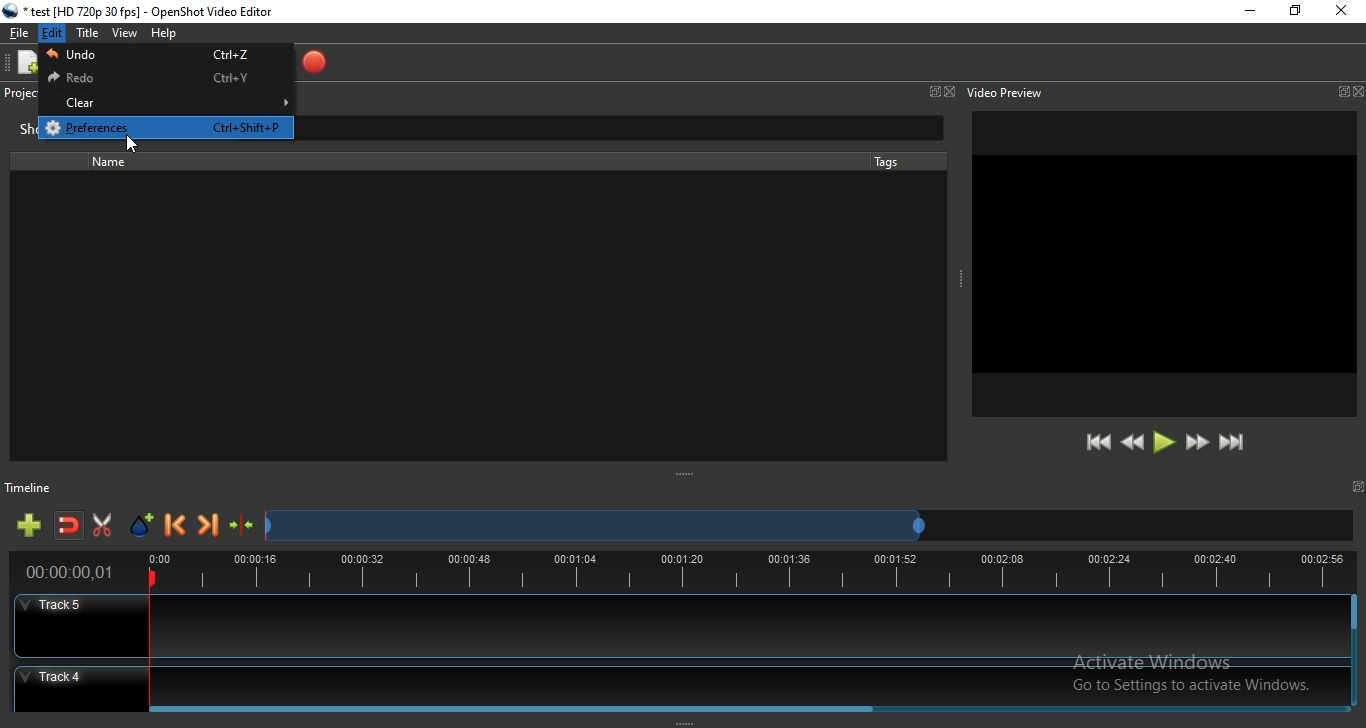  I want to click on Rewind , so click(1132, 443).